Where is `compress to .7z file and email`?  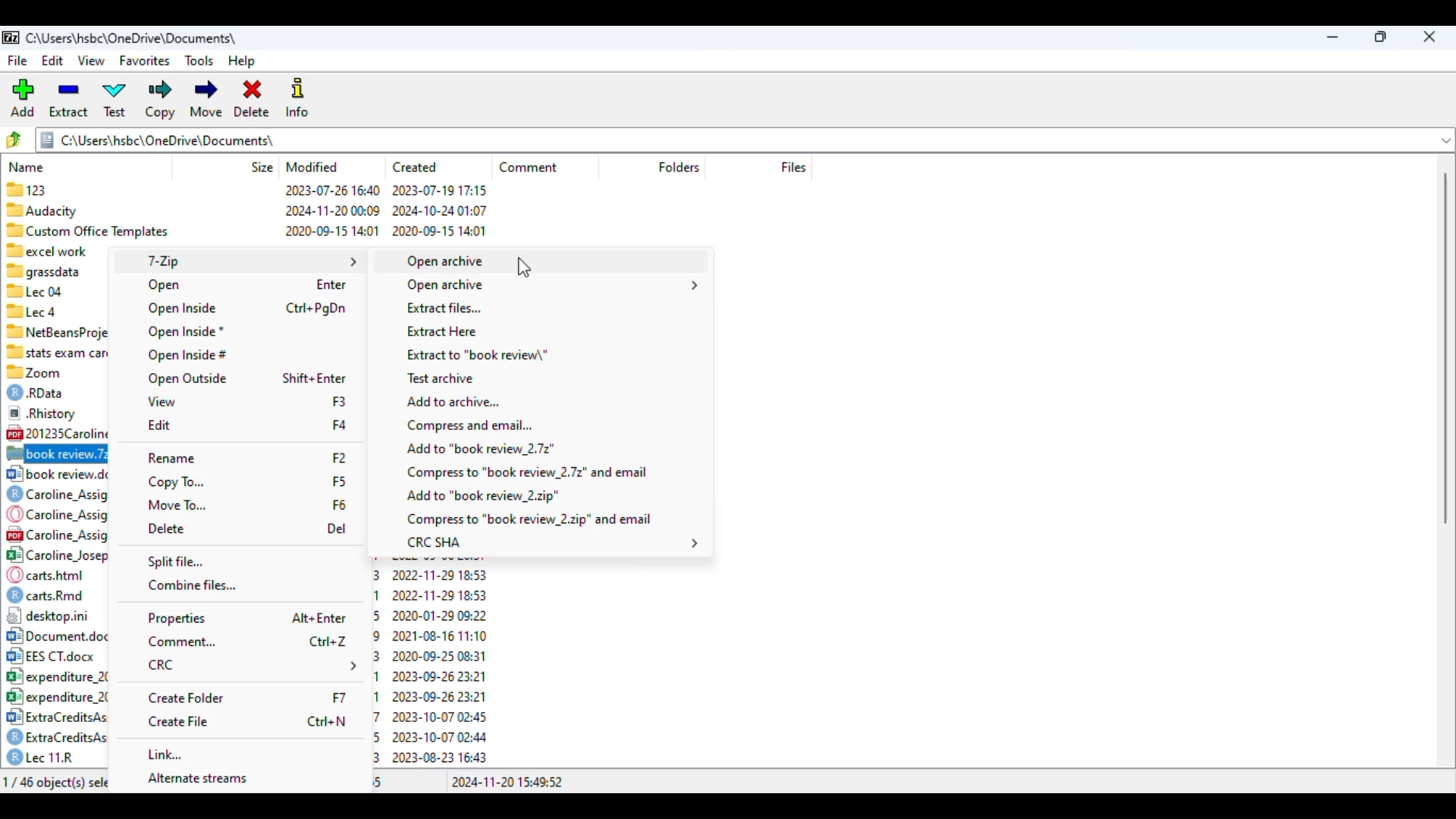
compress to .7z file and email is located at coordinates (529, 472).